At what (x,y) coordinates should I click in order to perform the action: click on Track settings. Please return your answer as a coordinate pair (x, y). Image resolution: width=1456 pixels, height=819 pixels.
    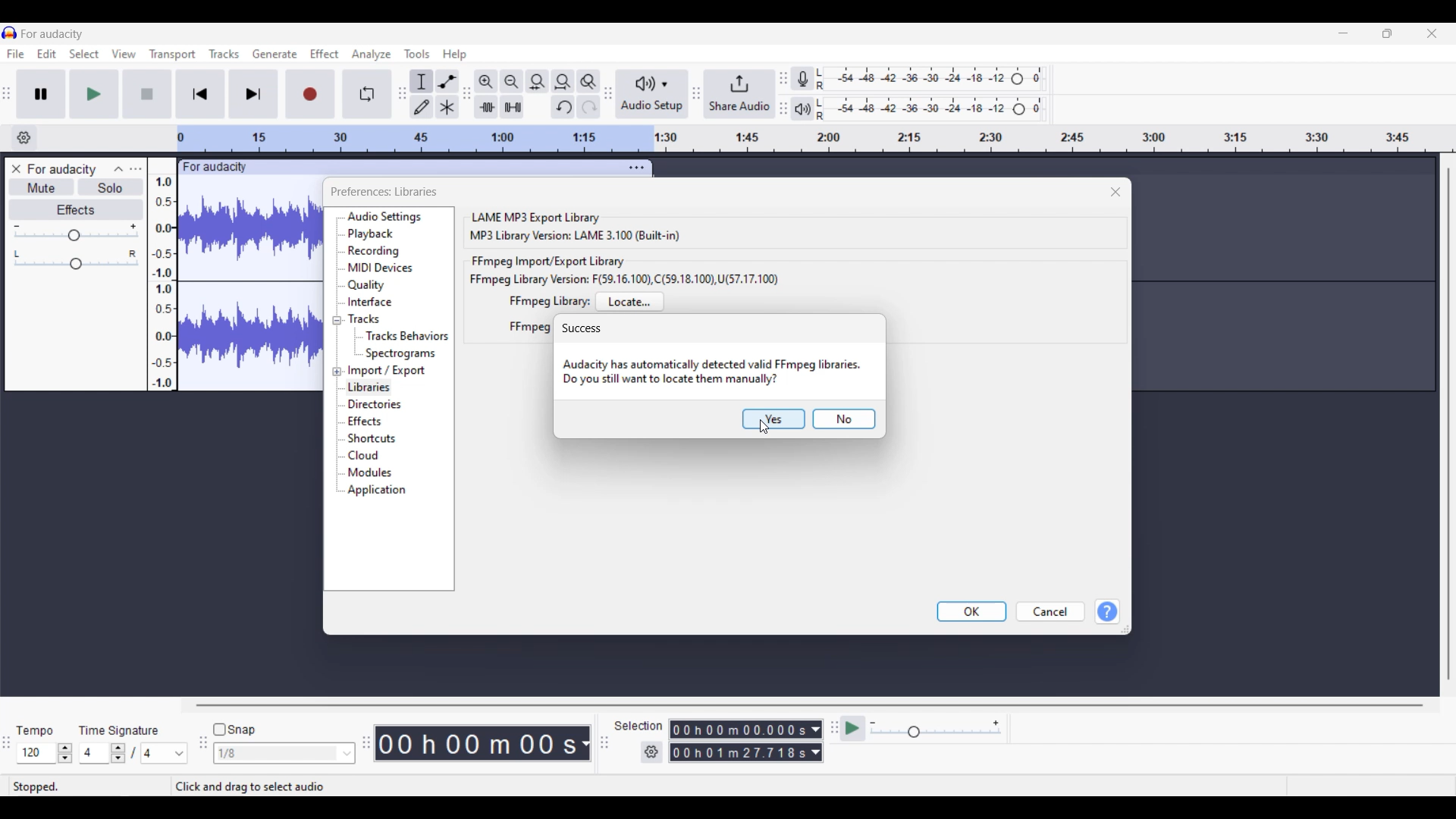
    Looking at the image, I should click on (636, 168).